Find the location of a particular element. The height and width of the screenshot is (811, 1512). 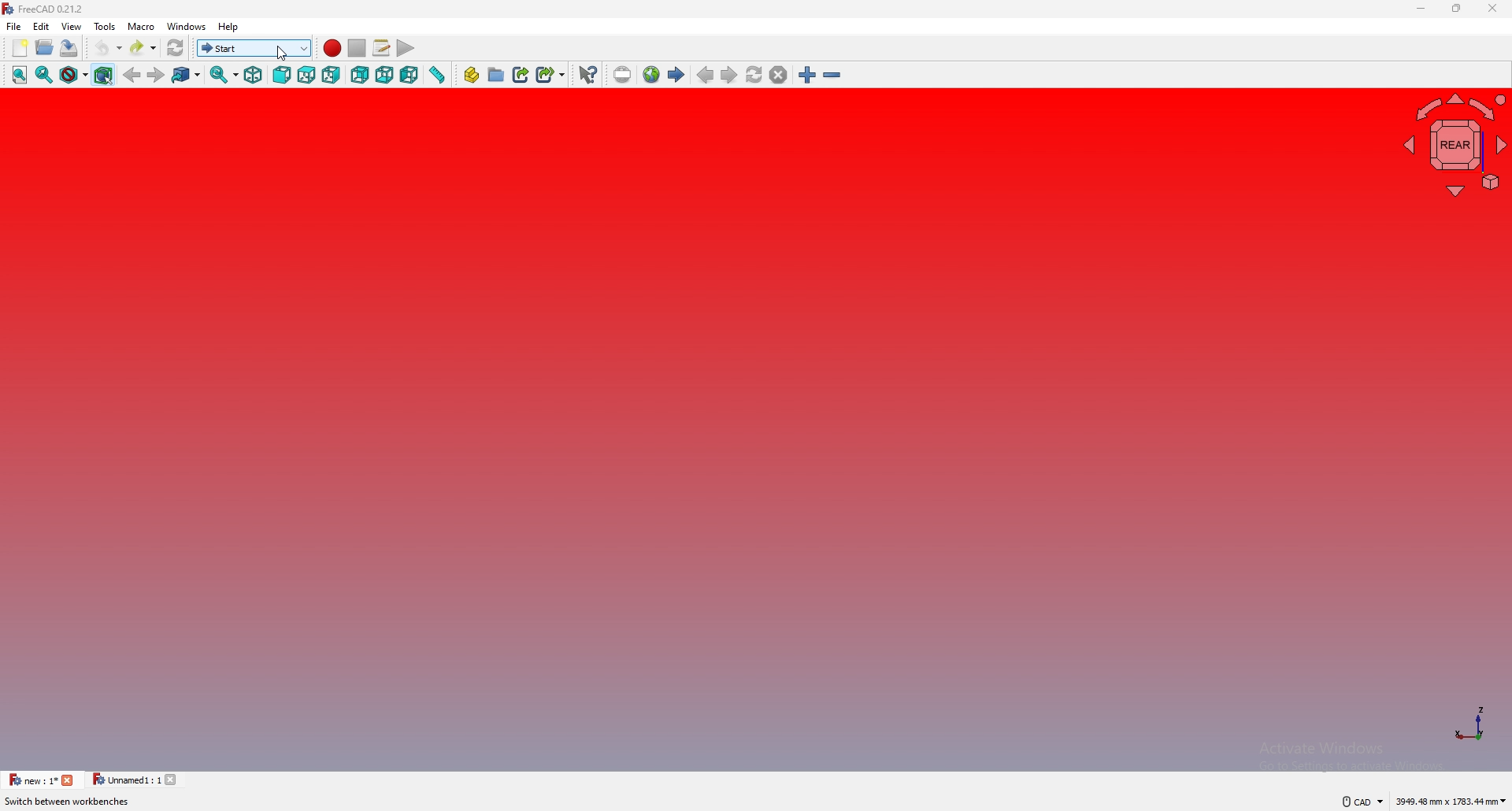

back is located at coordinates (133, 75).